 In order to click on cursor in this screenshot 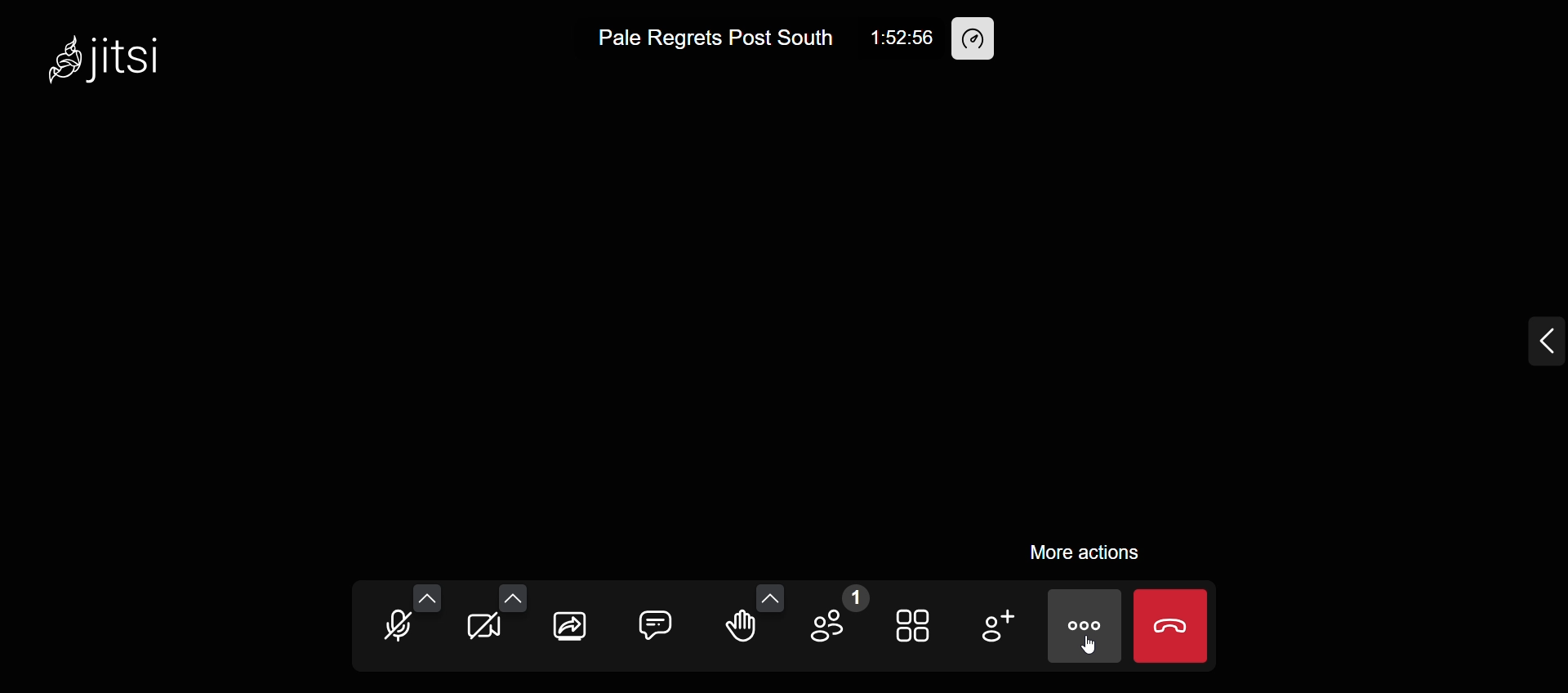, I will do `click(1107, 655)`.